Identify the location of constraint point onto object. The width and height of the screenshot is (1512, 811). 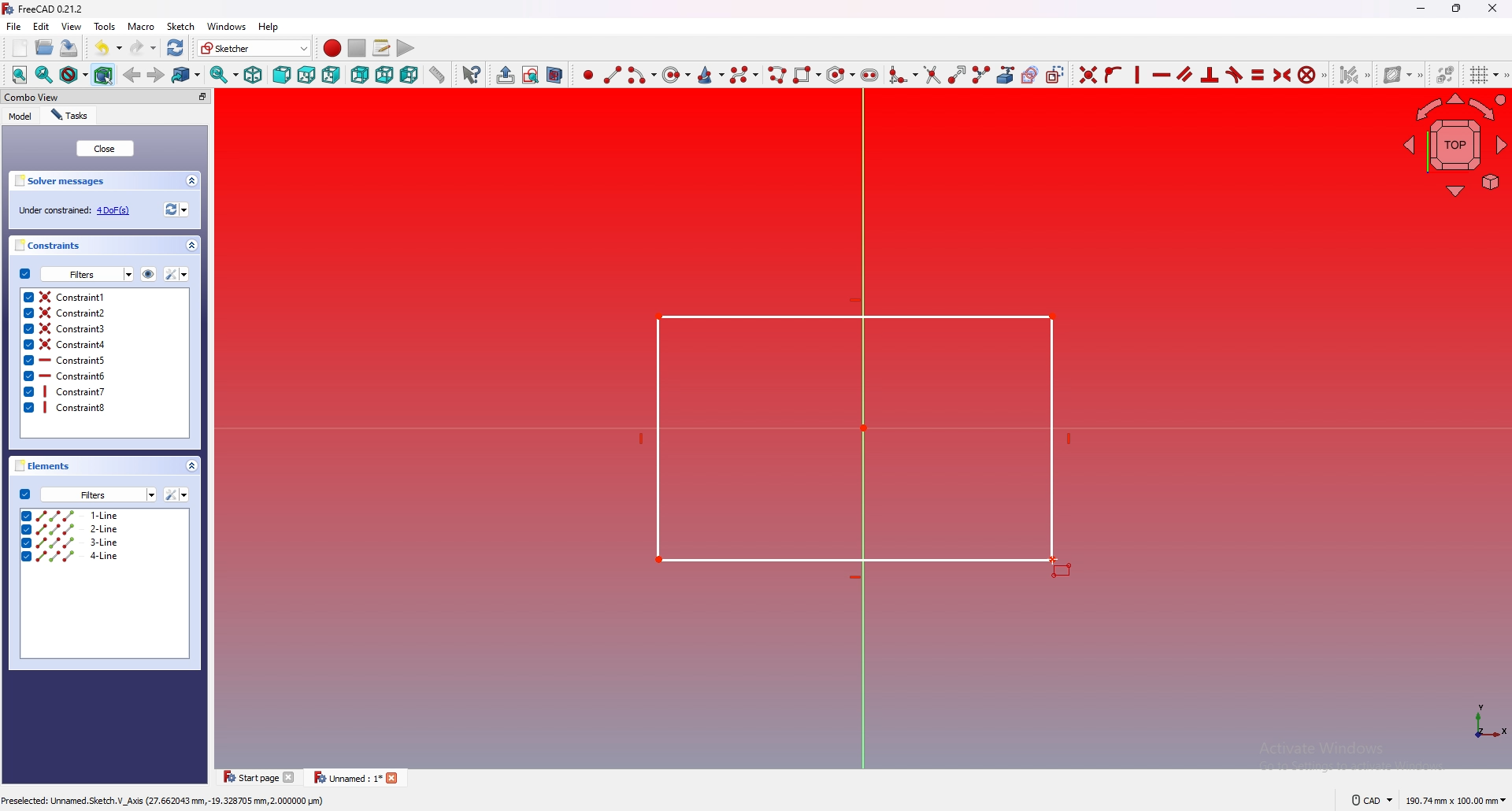
(1113, 75).